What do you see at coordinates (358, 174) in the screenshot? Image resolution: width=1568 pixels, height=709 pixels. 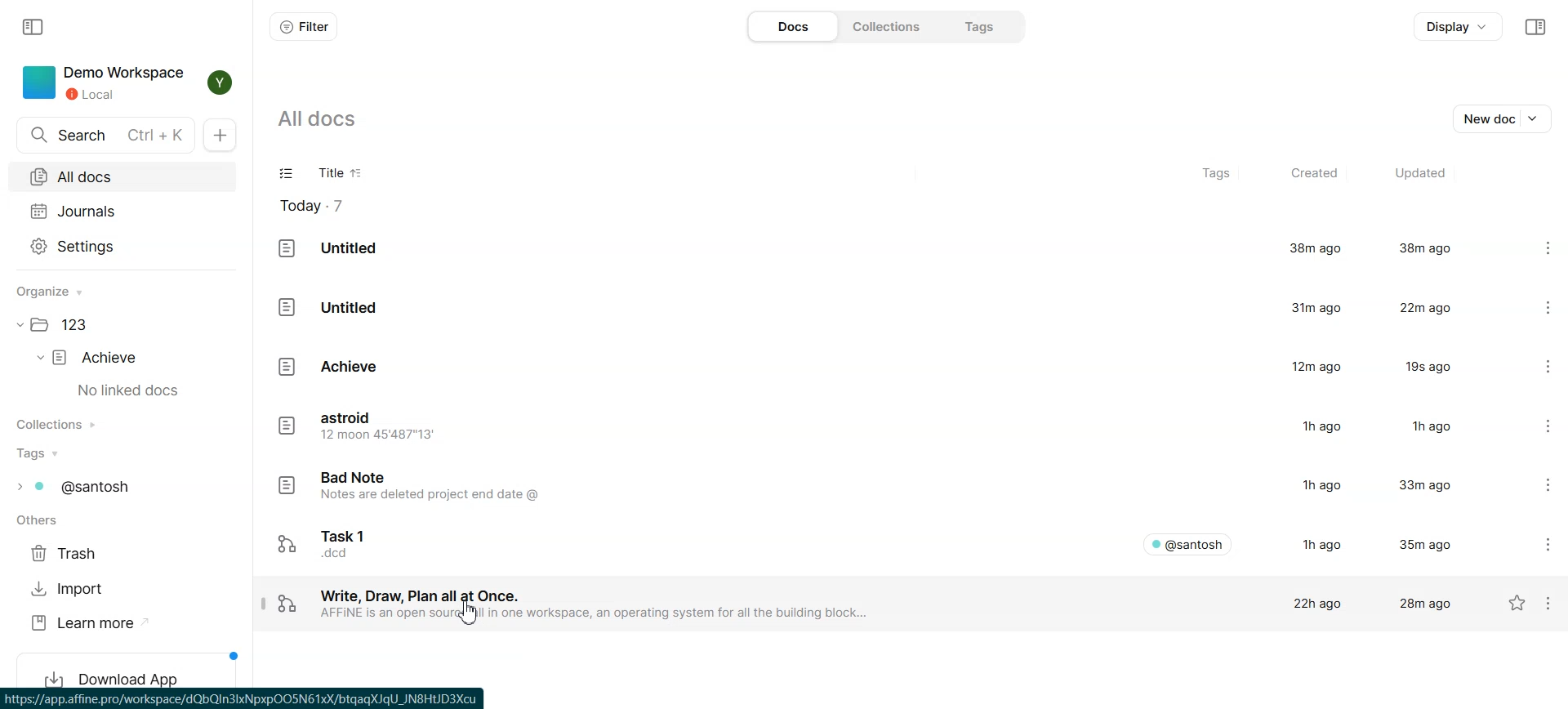 I see `Sort` at bounding box center [358, 174].